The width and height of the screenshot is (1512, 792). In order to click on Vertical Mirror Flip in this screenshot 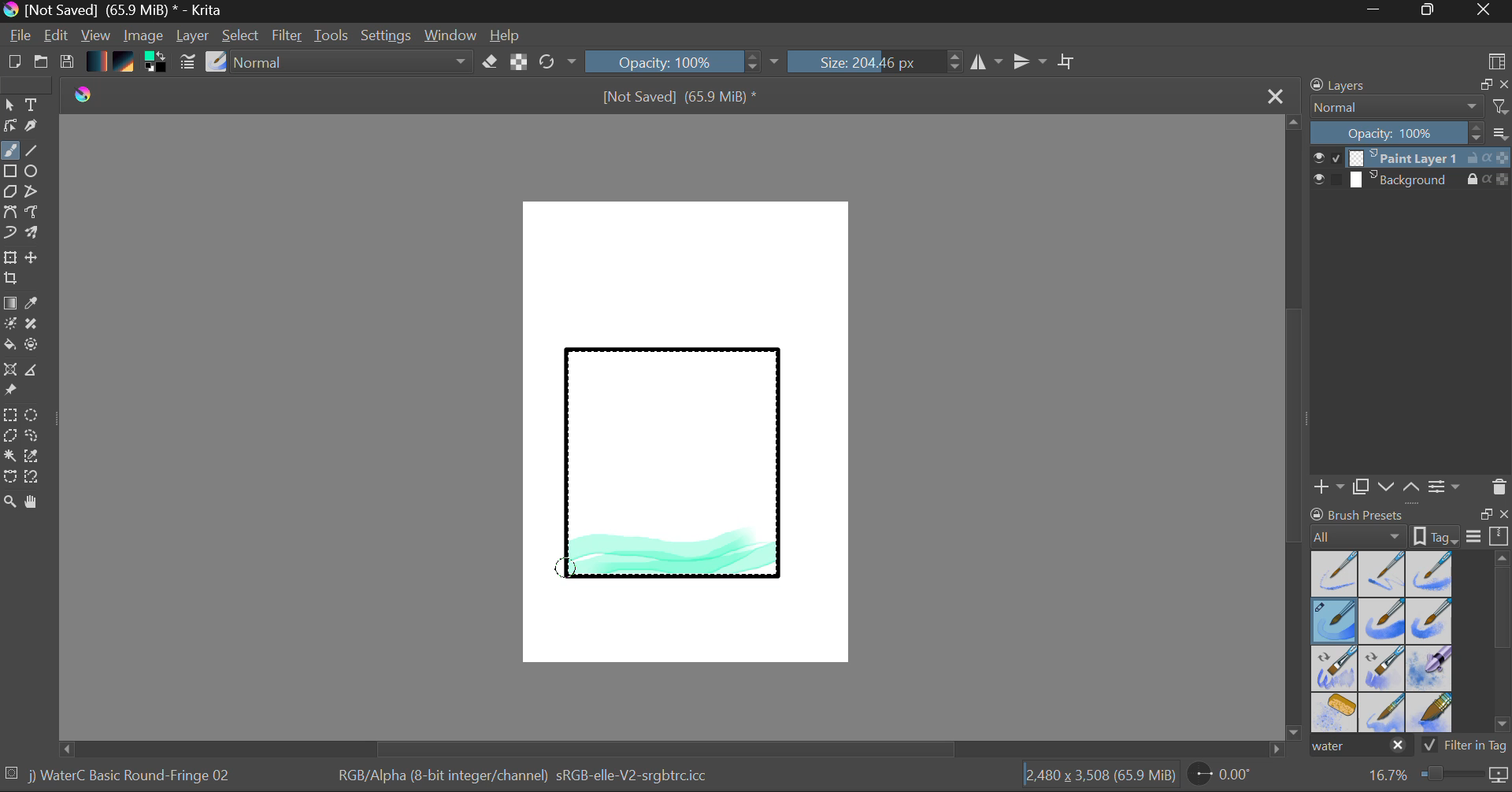, I will do `click(986, 62)`.